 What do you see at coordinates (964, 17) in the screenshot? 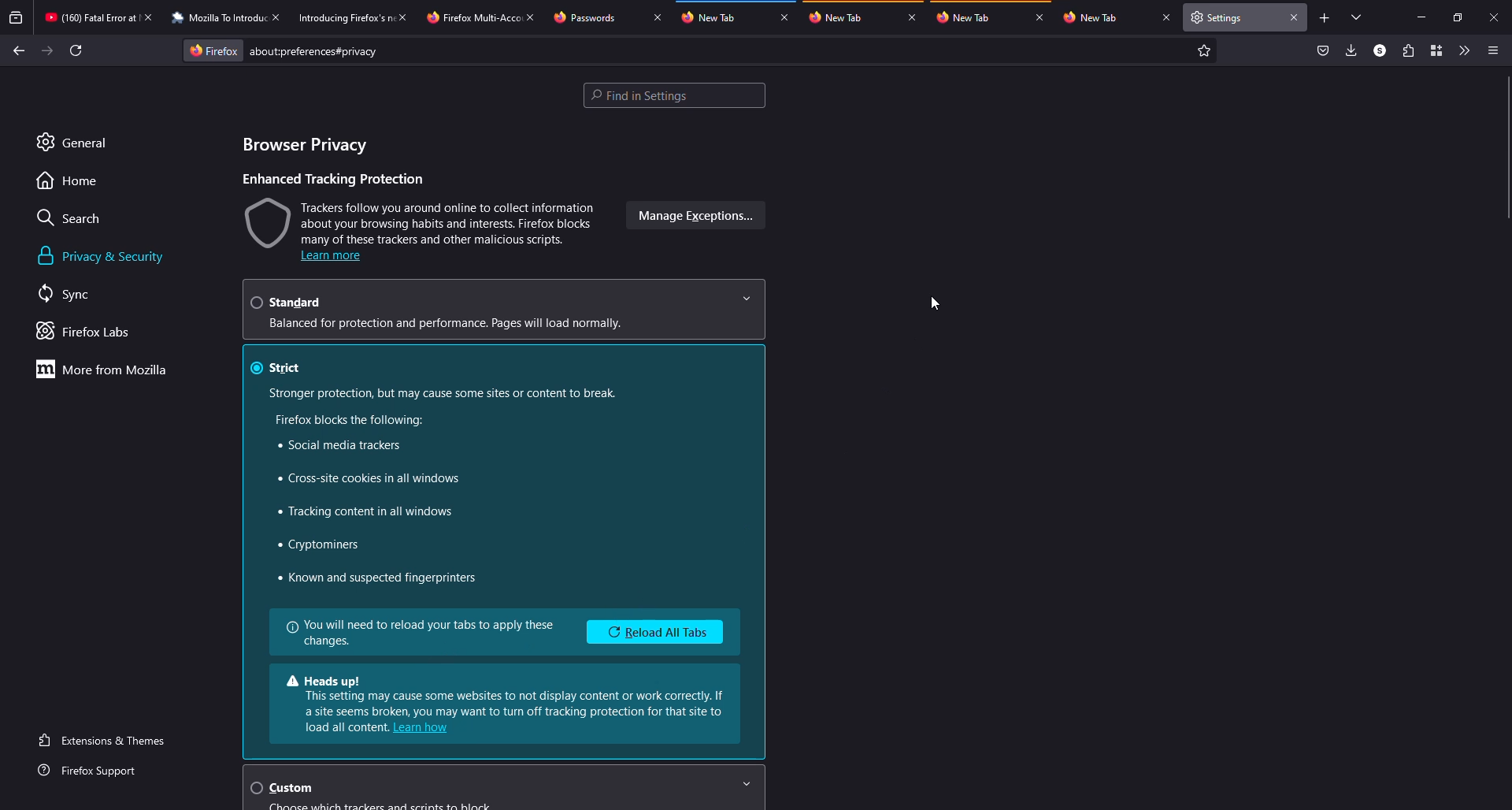
I see `tab` at bounding box center [964, 17].